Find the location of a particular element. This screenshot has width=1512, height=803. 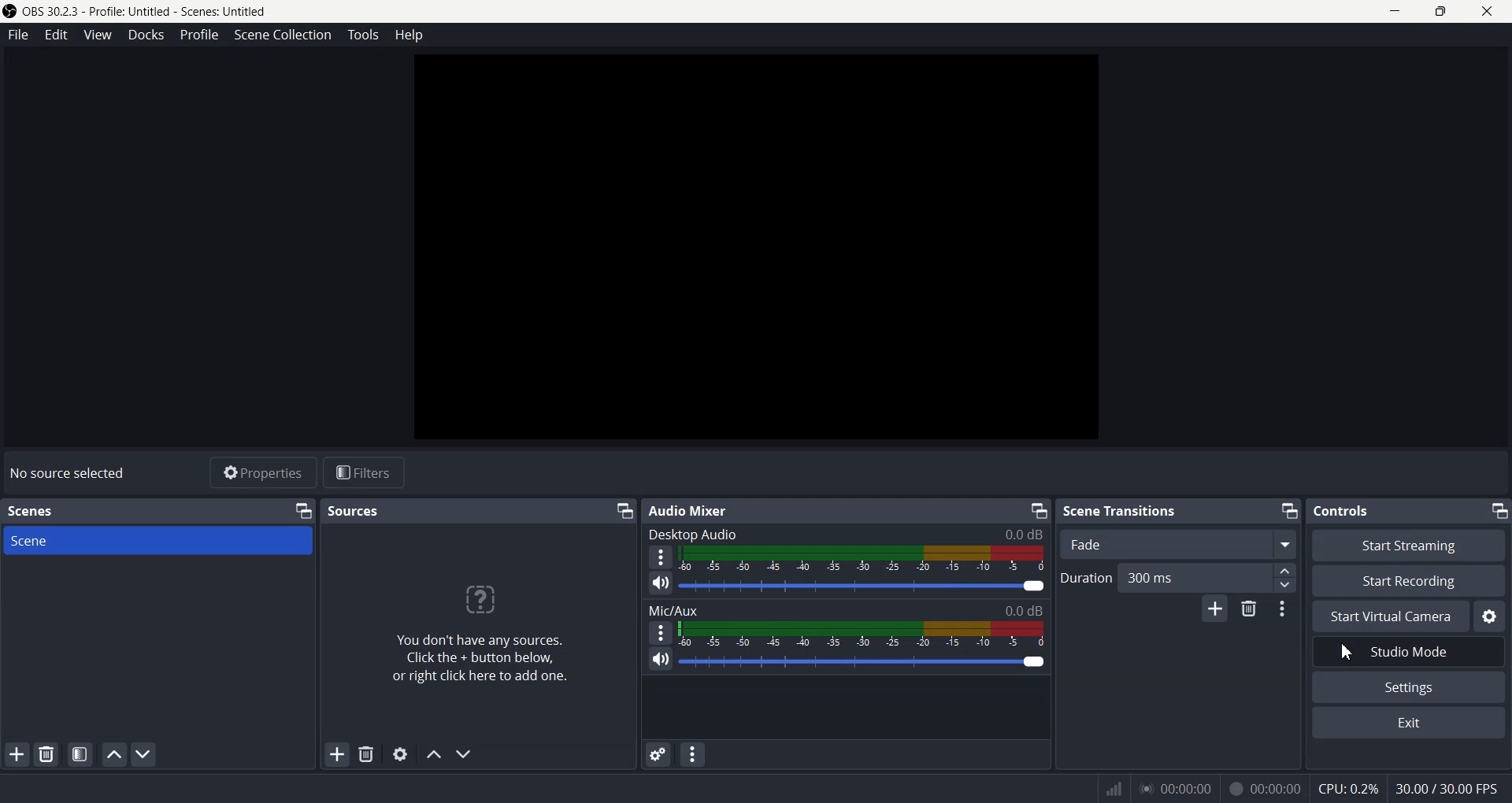

Network signal is located at coordinates (1112, 788).